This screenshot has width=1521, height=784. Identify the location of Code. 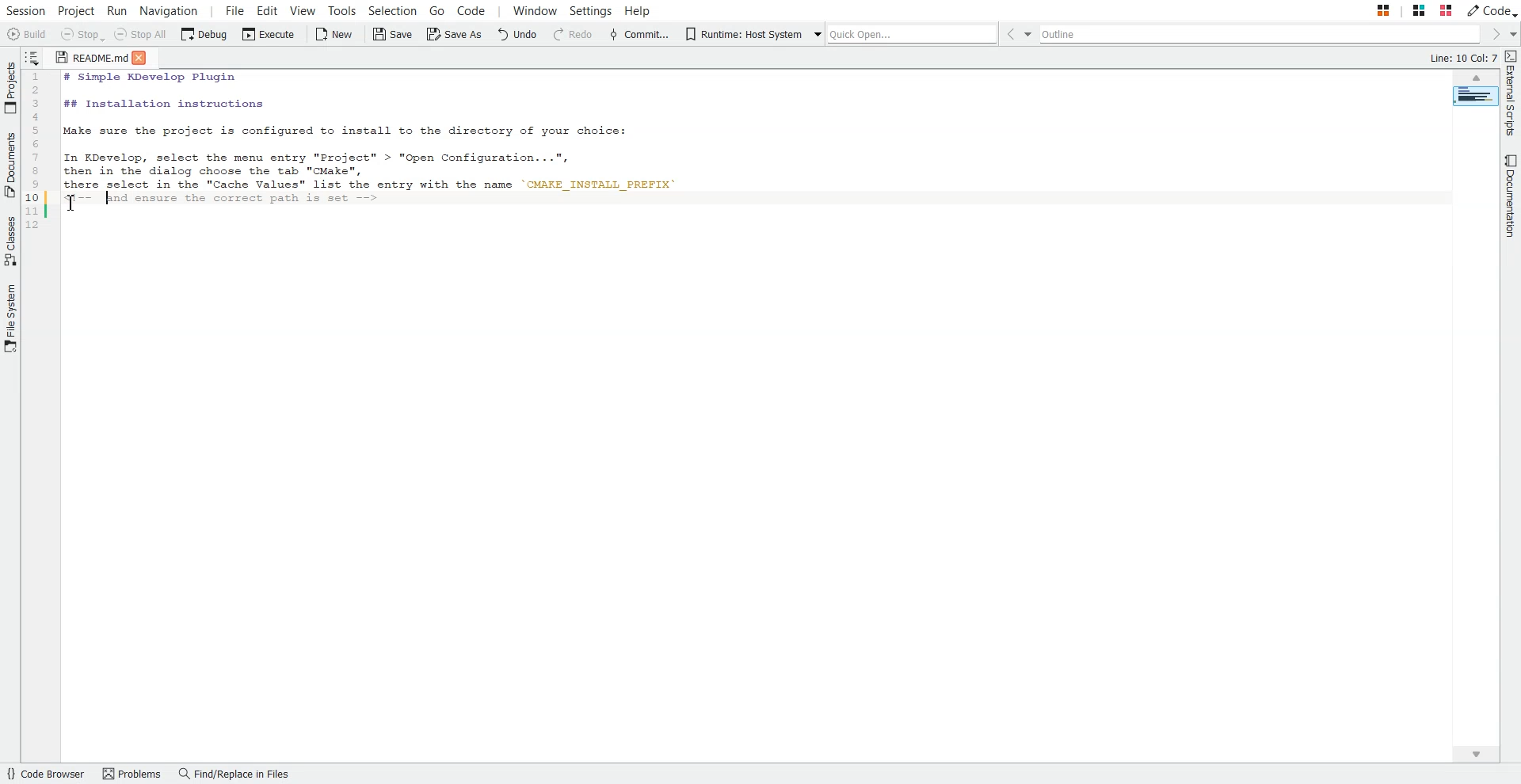
(1492, 10).